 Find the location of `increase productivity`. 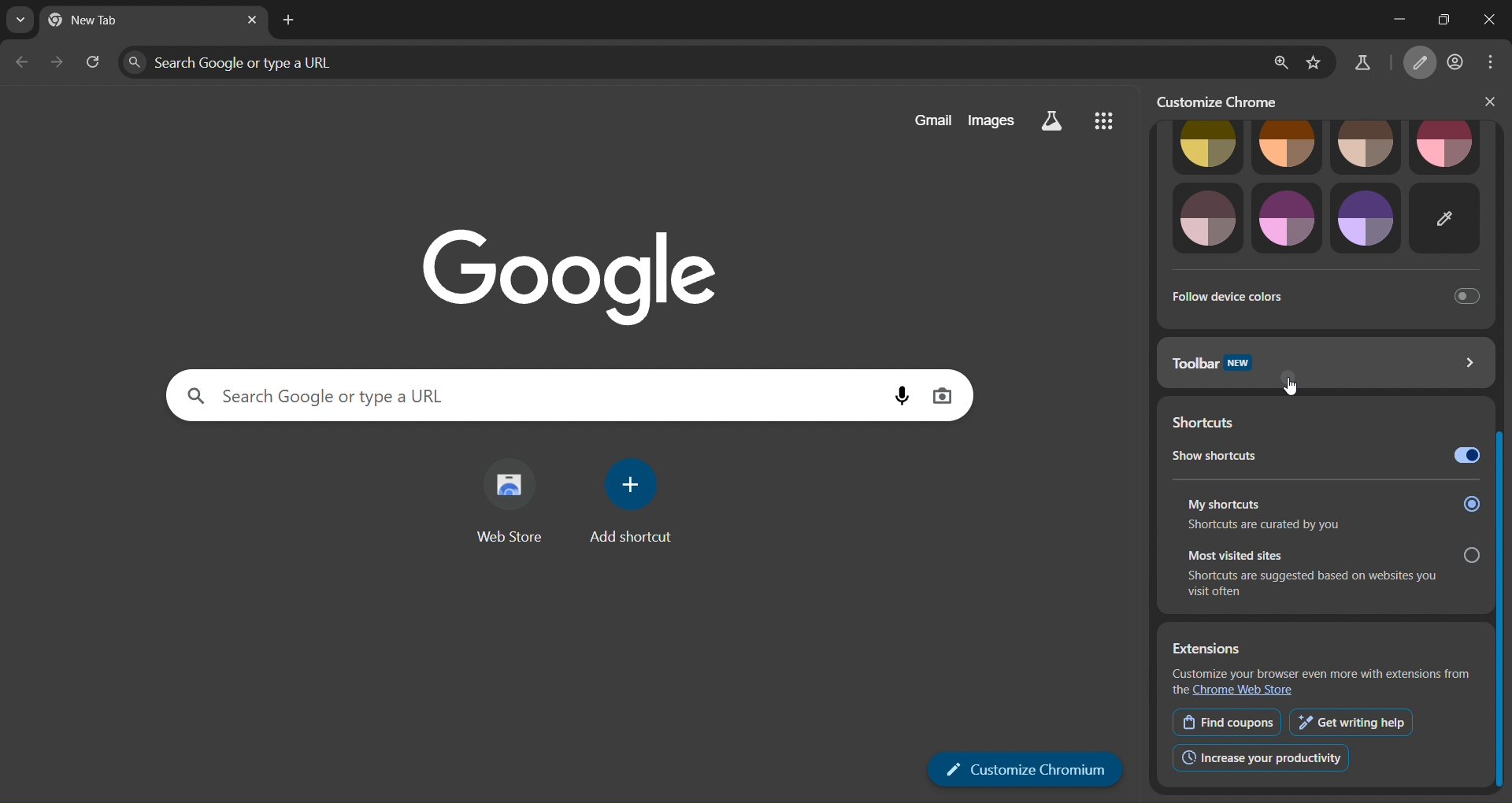

increase productivity is located at coordinates (1262, 758).